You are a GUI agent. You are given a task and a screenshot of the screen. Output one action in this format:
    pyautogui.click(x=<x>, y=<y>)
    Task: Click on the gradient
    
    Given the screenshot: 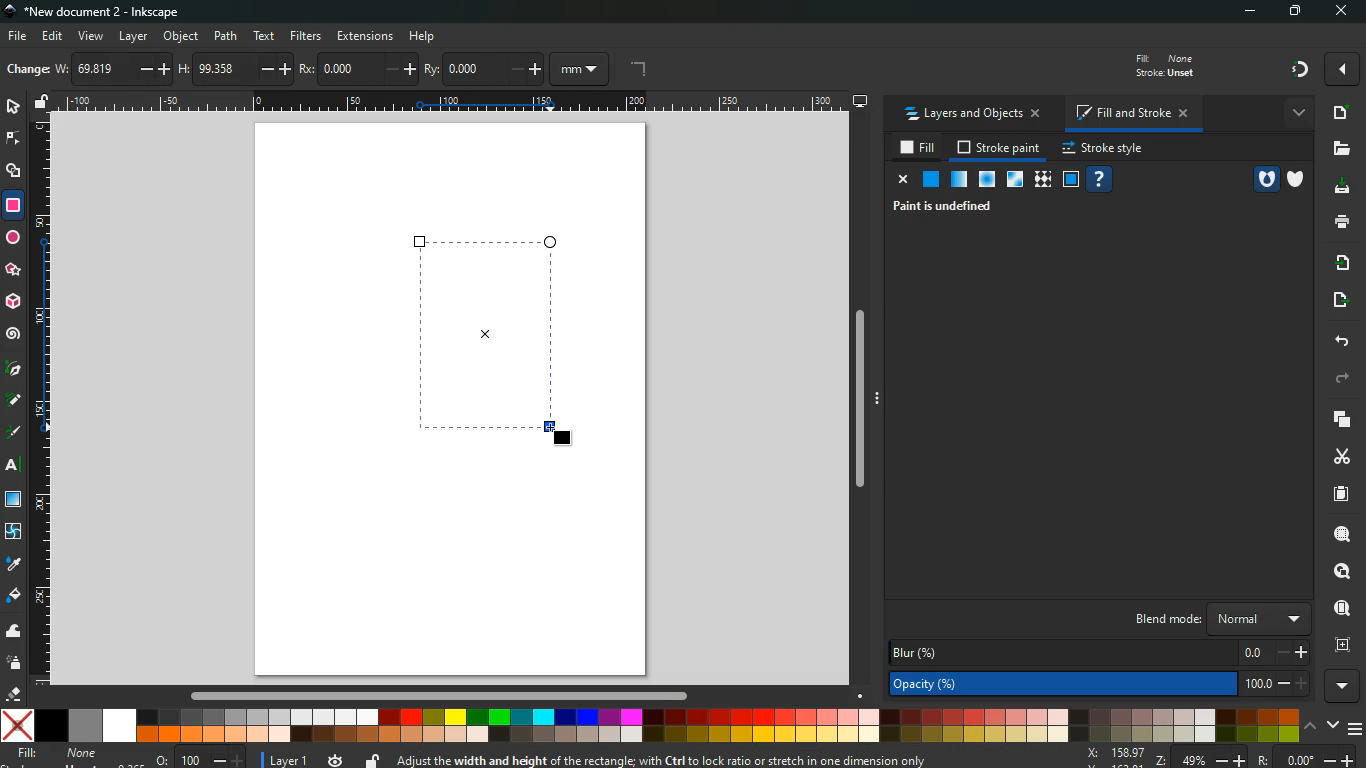 What is the action you would take?
    pyautogui.click(x=1294, y=70)
    